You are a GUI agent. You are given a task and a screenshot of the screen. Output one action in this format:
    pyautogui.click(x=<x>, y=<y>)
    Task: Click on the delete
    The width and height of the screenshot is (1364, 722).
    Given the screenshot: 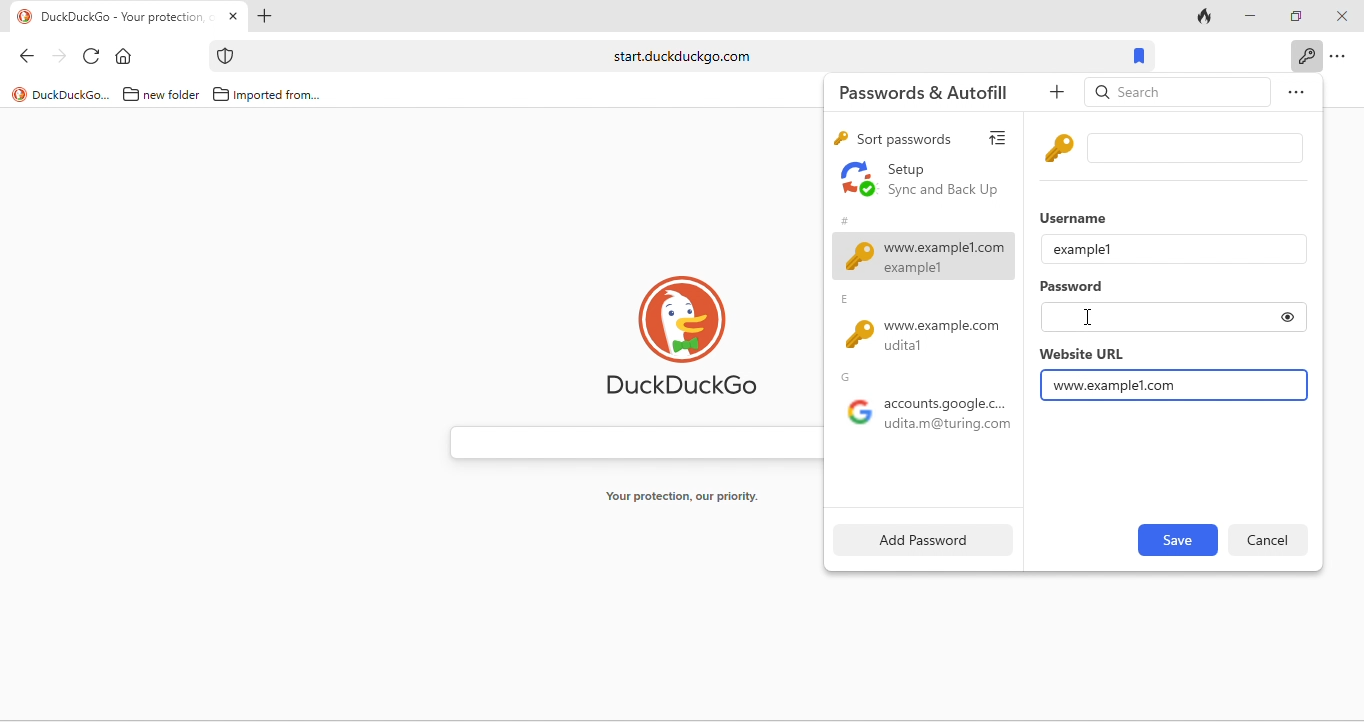 What is the action you would take?
    pyautogui.click(x=1268, y=539)
    